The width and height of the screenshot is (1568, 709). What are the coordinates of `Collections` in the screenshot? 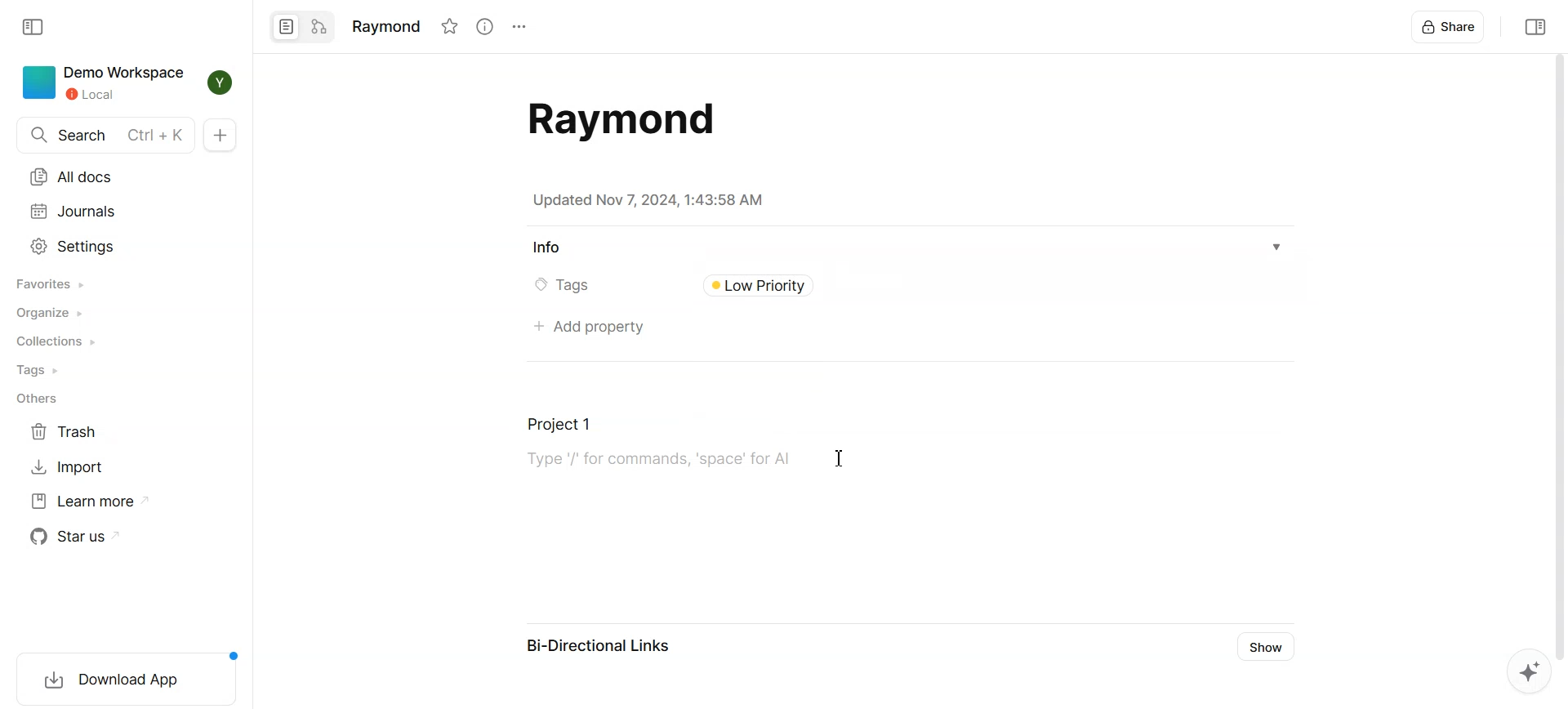 It's located at (56, 341).